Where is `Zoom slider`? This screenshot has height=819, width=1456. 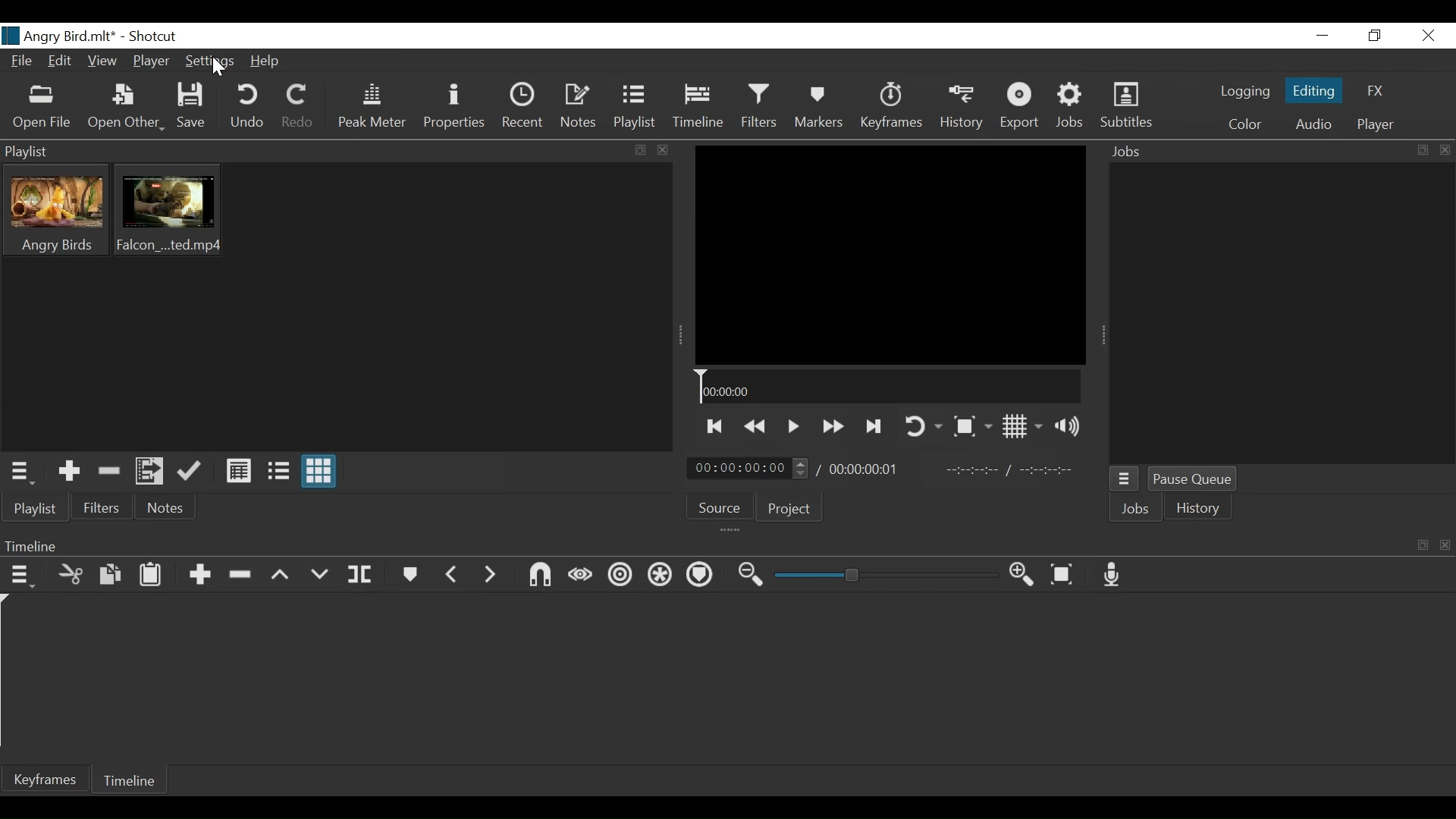
Zoom slider is located at coordinates (879, 576).